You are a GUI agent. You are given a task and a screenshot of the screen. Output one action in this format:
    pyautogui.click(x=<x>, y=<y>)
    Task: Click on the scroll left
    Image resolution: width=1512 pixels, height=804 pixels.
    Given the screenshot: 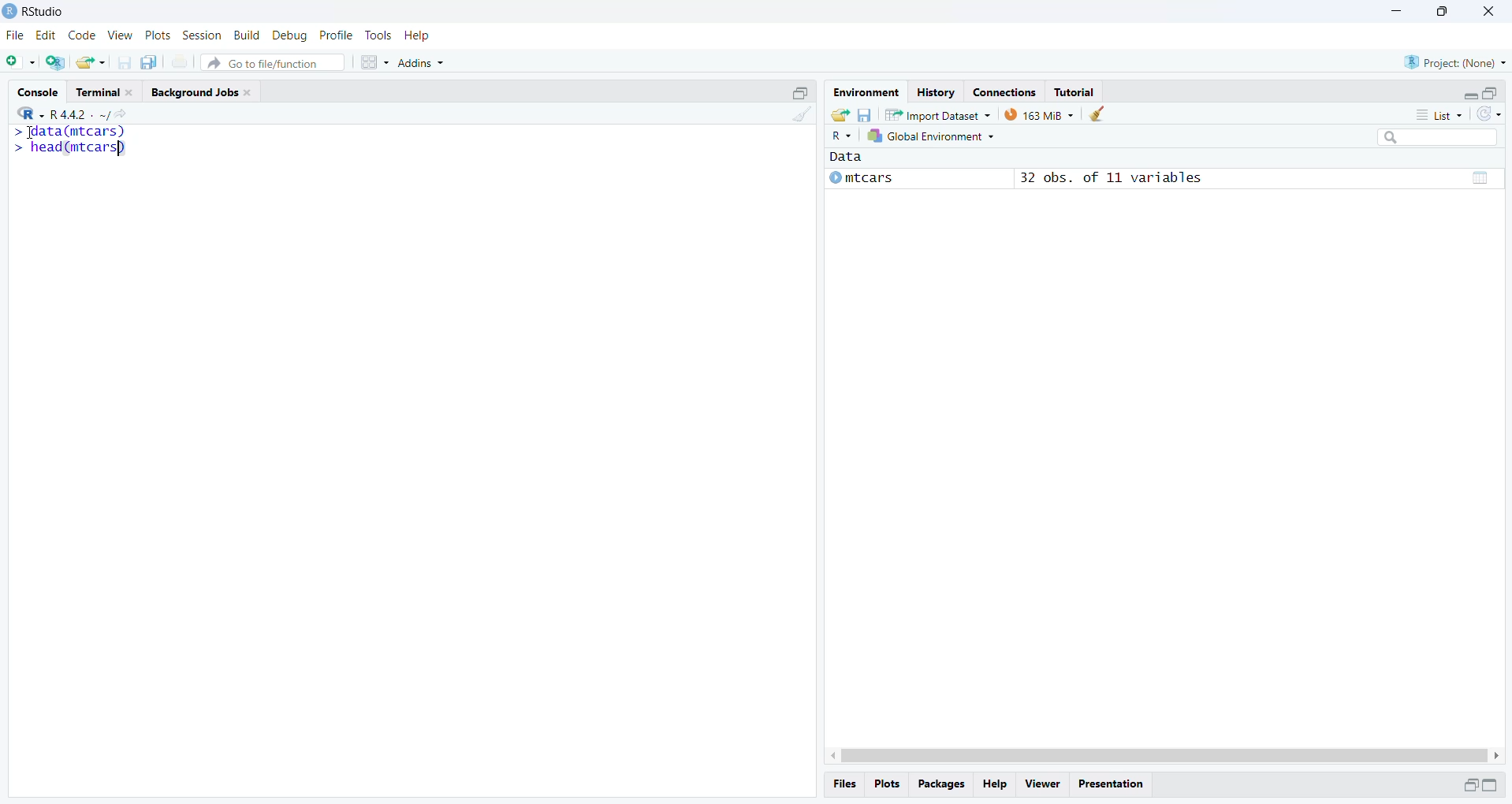 What is the action you would take?
    pyautogui.click(x=831, y=757)
    